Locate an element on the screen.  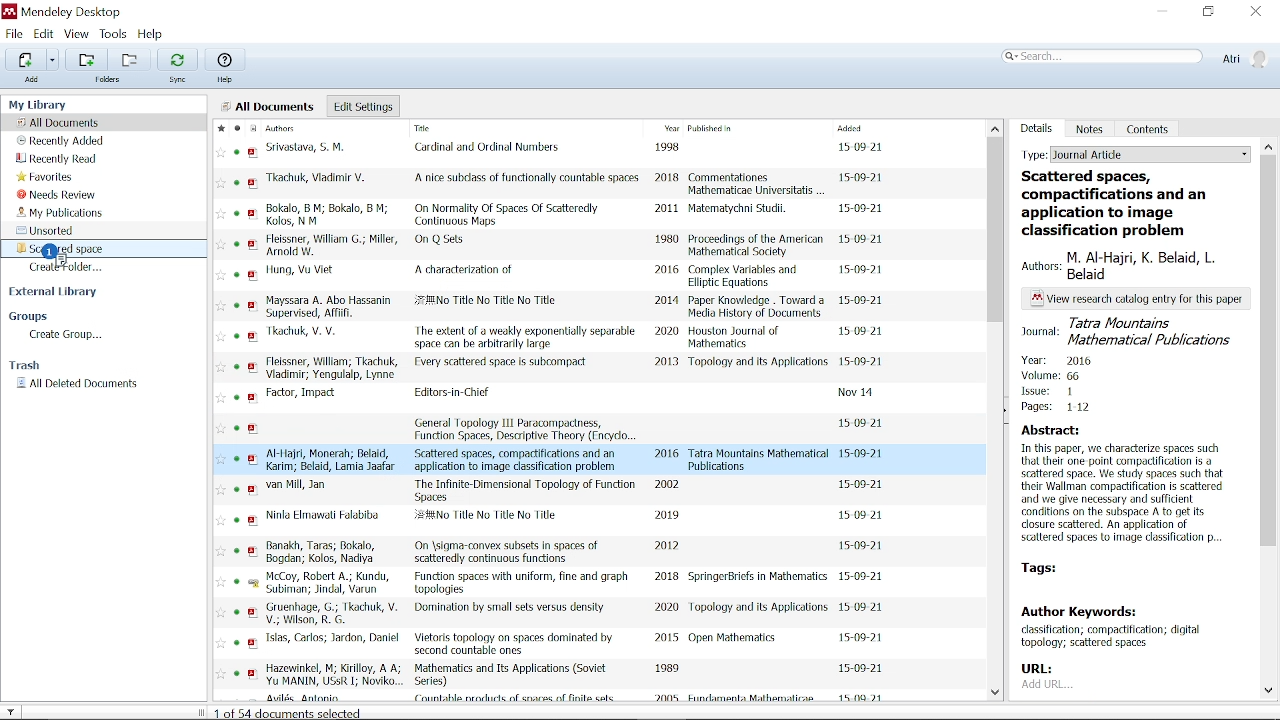
Add files options is located at coordinates (53, 60).